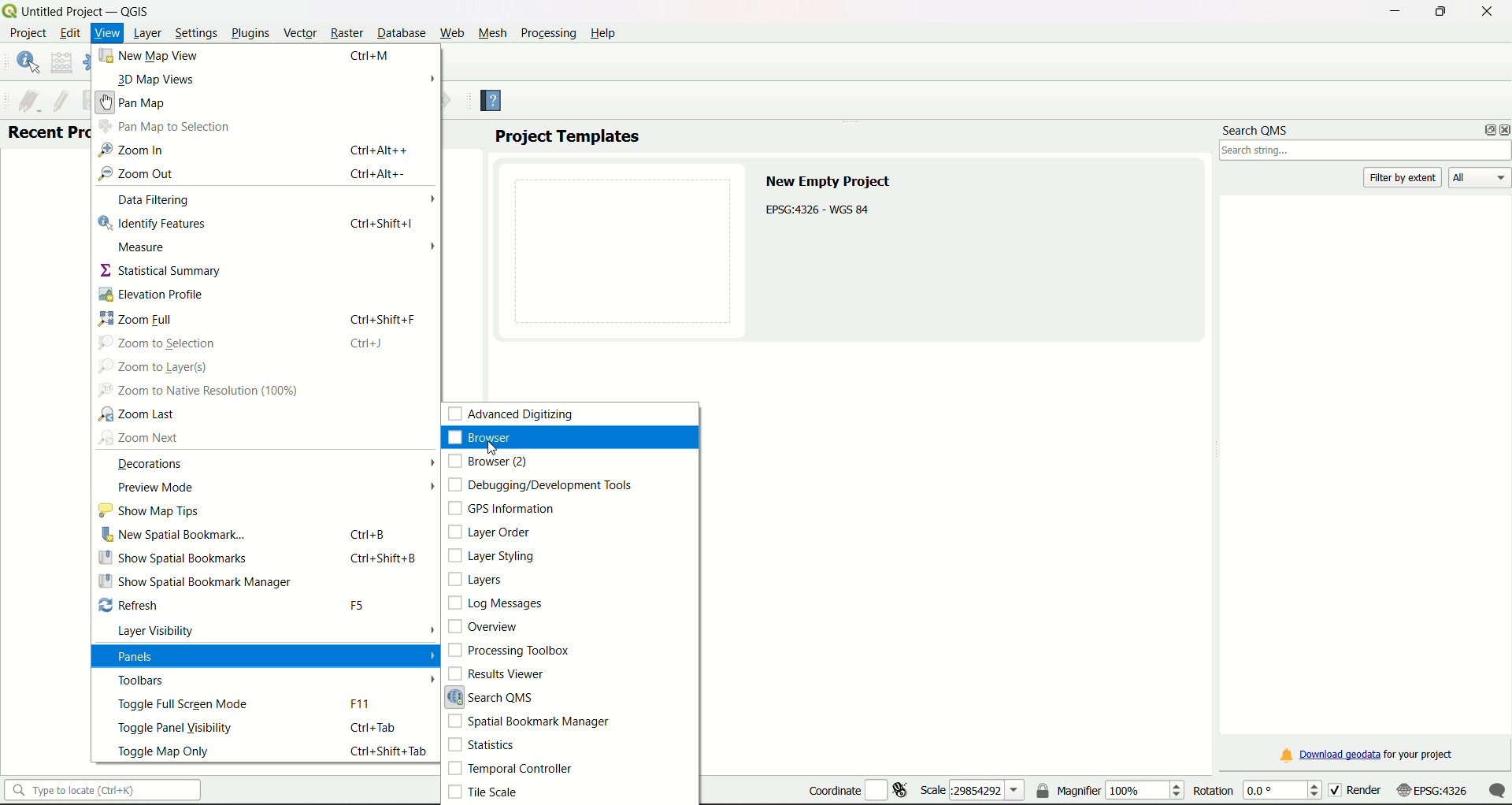  I want to click on zoom last, so click(135, 415).